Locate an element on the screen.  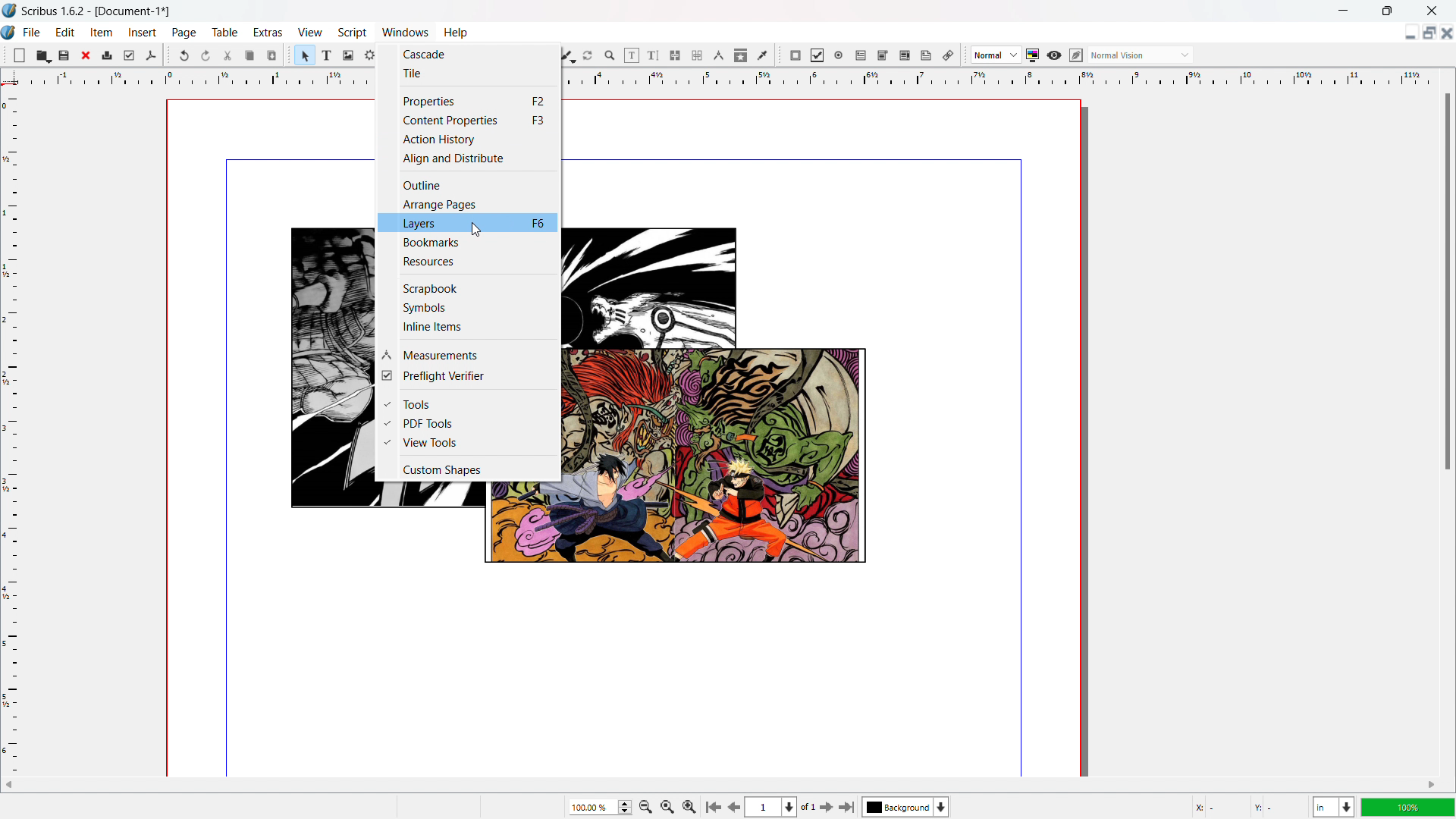
table is located at coordinates (224, 32).